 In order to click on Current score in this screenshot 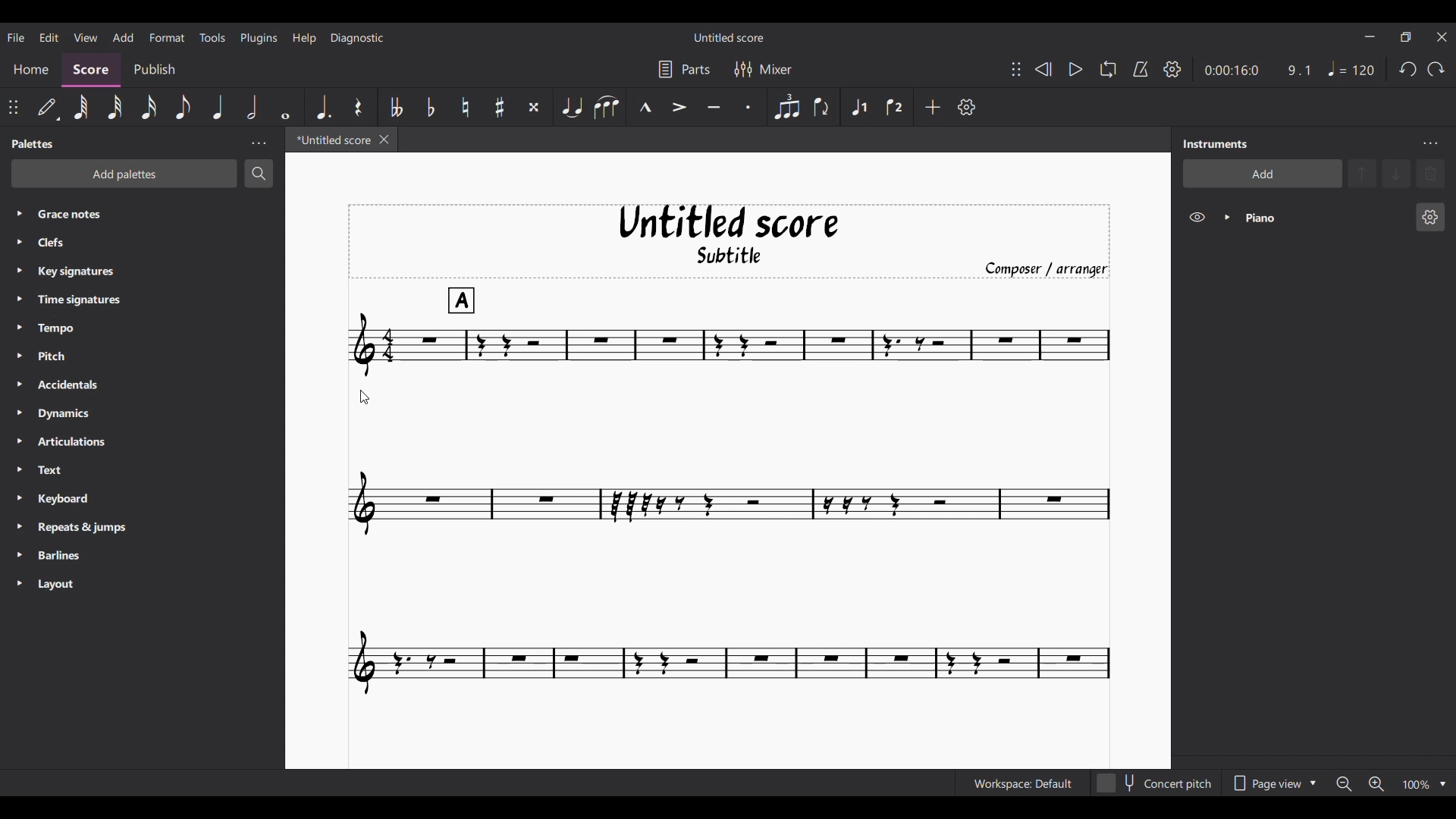, I will do `click(730, 491)`.